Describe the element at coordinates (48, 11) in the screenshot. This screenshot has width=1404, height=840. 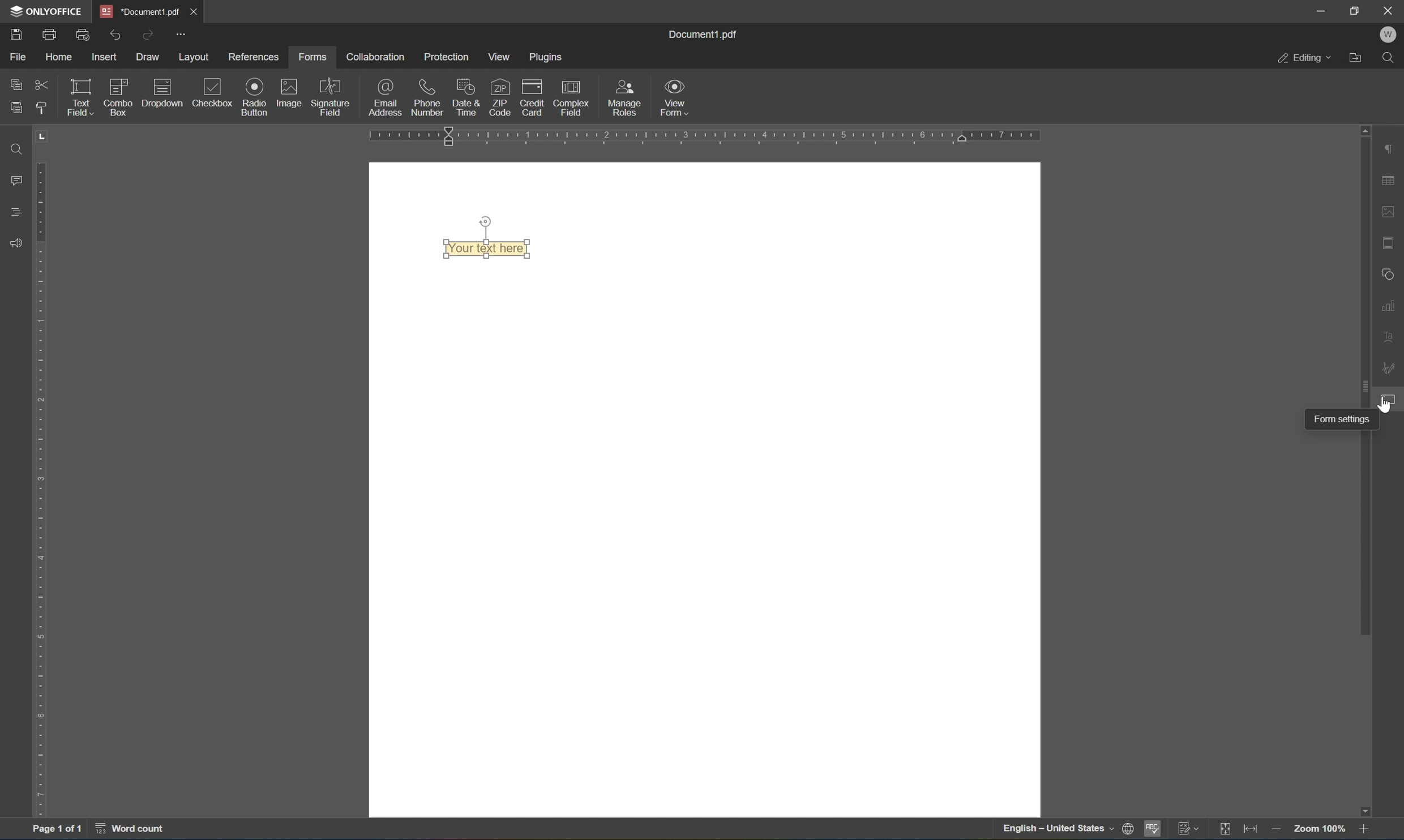
I see `ONLYOFFICE` at that location.